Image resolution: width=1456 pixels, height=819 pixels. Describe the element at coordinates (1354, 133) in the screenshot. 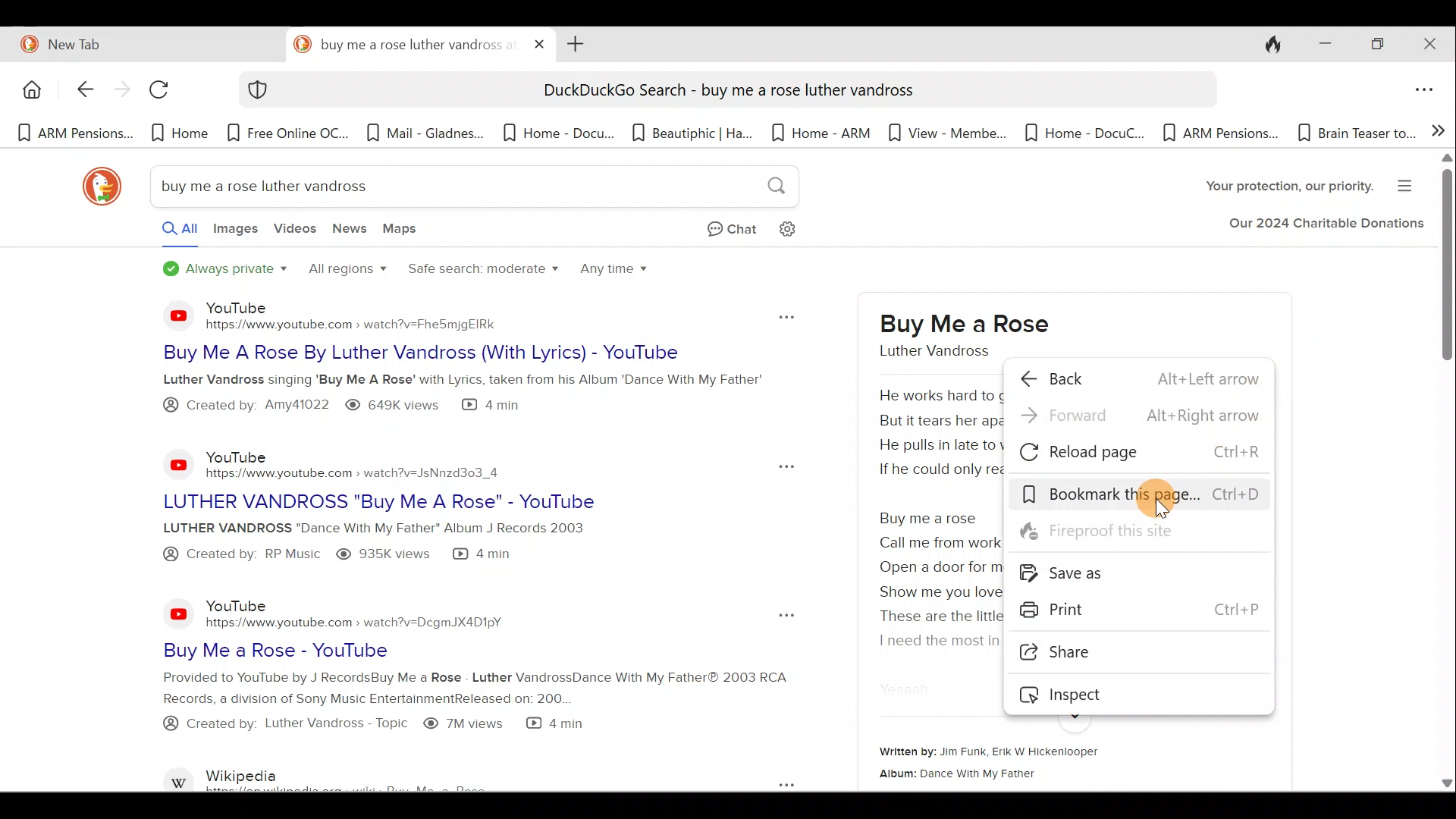

I see `Bookmark 11` at that location.